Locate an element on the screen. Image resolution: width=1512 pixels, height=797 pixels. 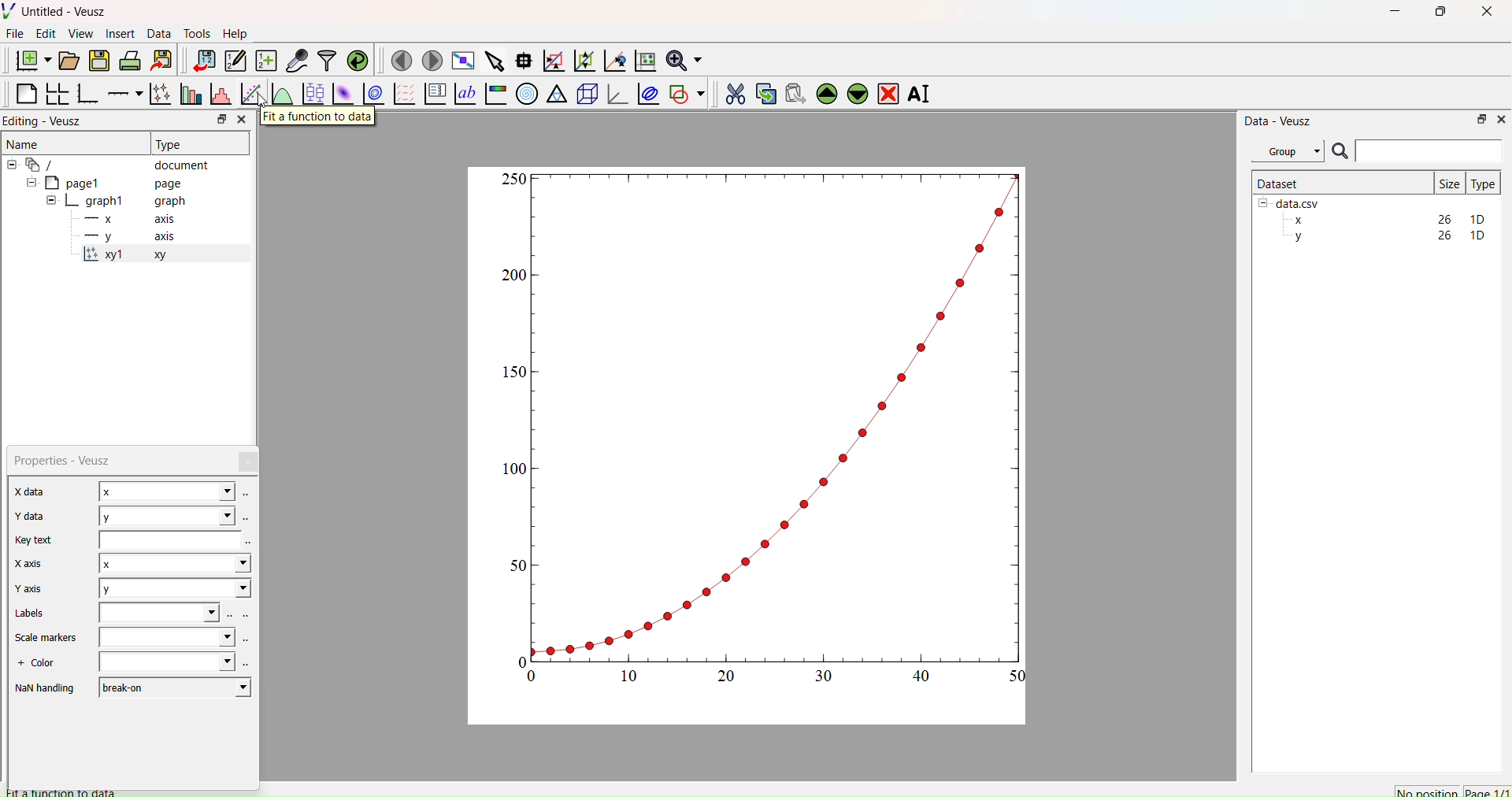
Down is located at coordinates (857, 91).